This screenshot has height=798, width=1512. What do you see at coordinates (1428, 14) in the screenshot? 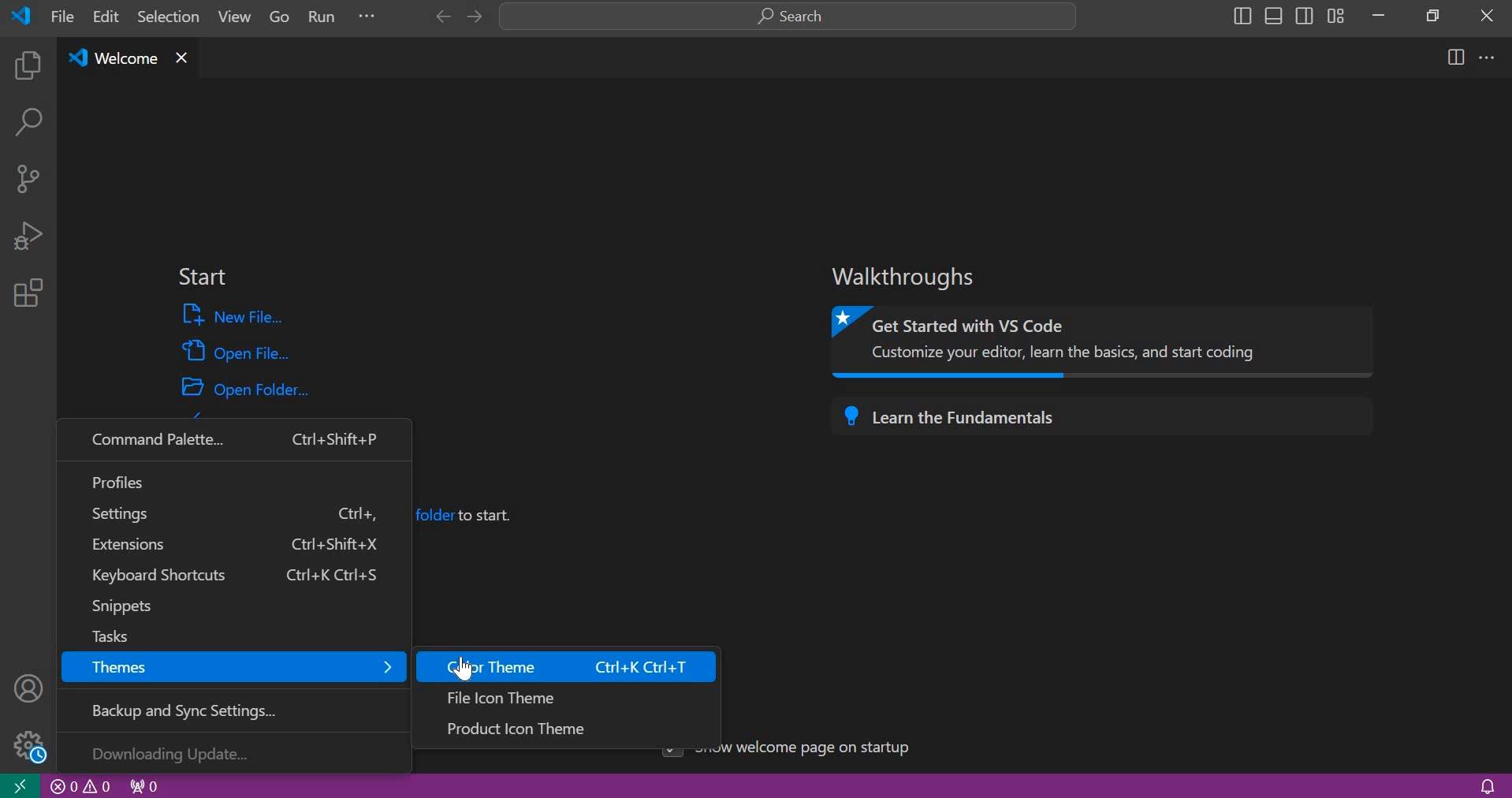
I see `restore down` at bounding box center [1428, 14].